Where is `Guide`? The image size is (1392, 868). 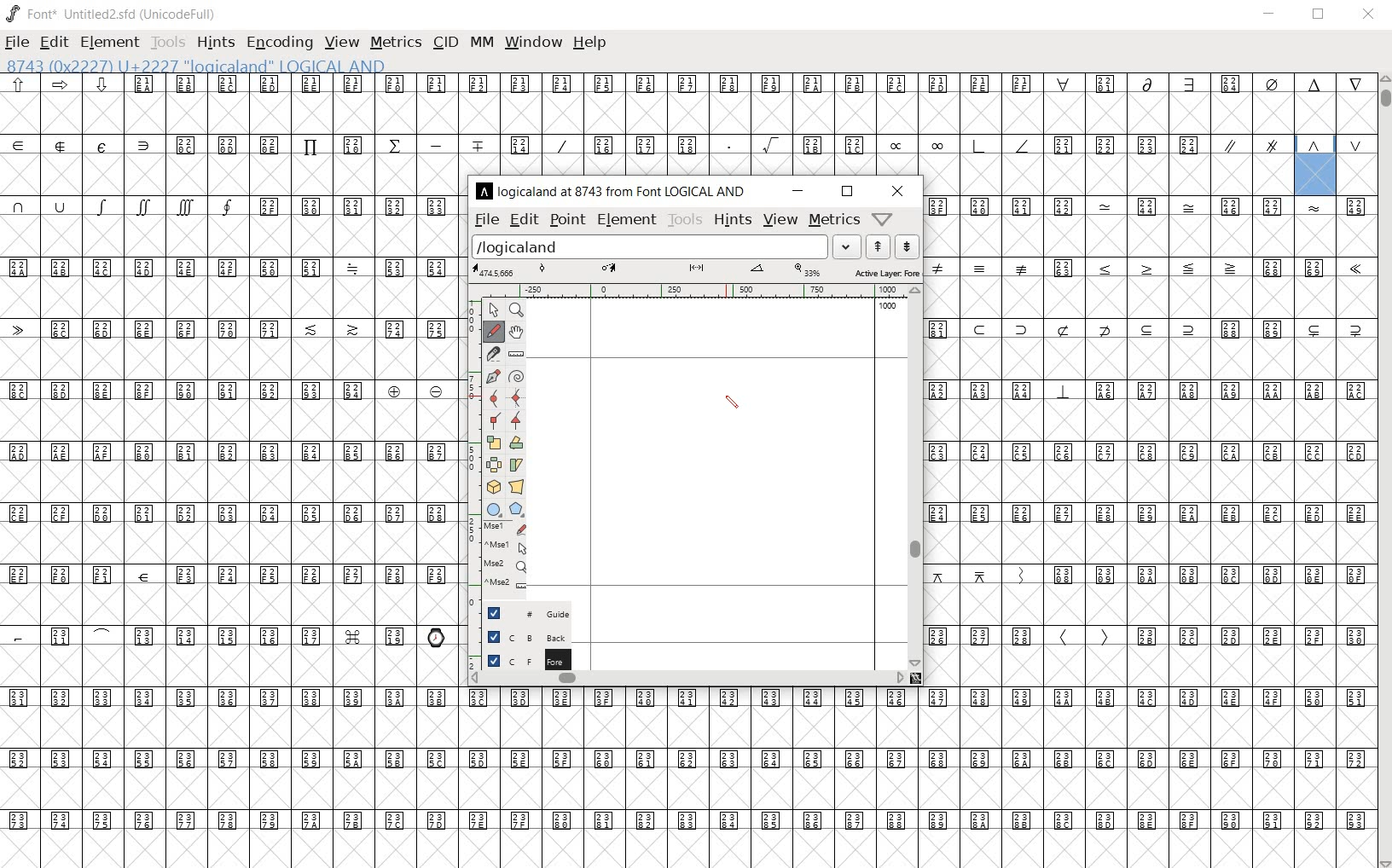
Guide is located at coordinates (525, 613).